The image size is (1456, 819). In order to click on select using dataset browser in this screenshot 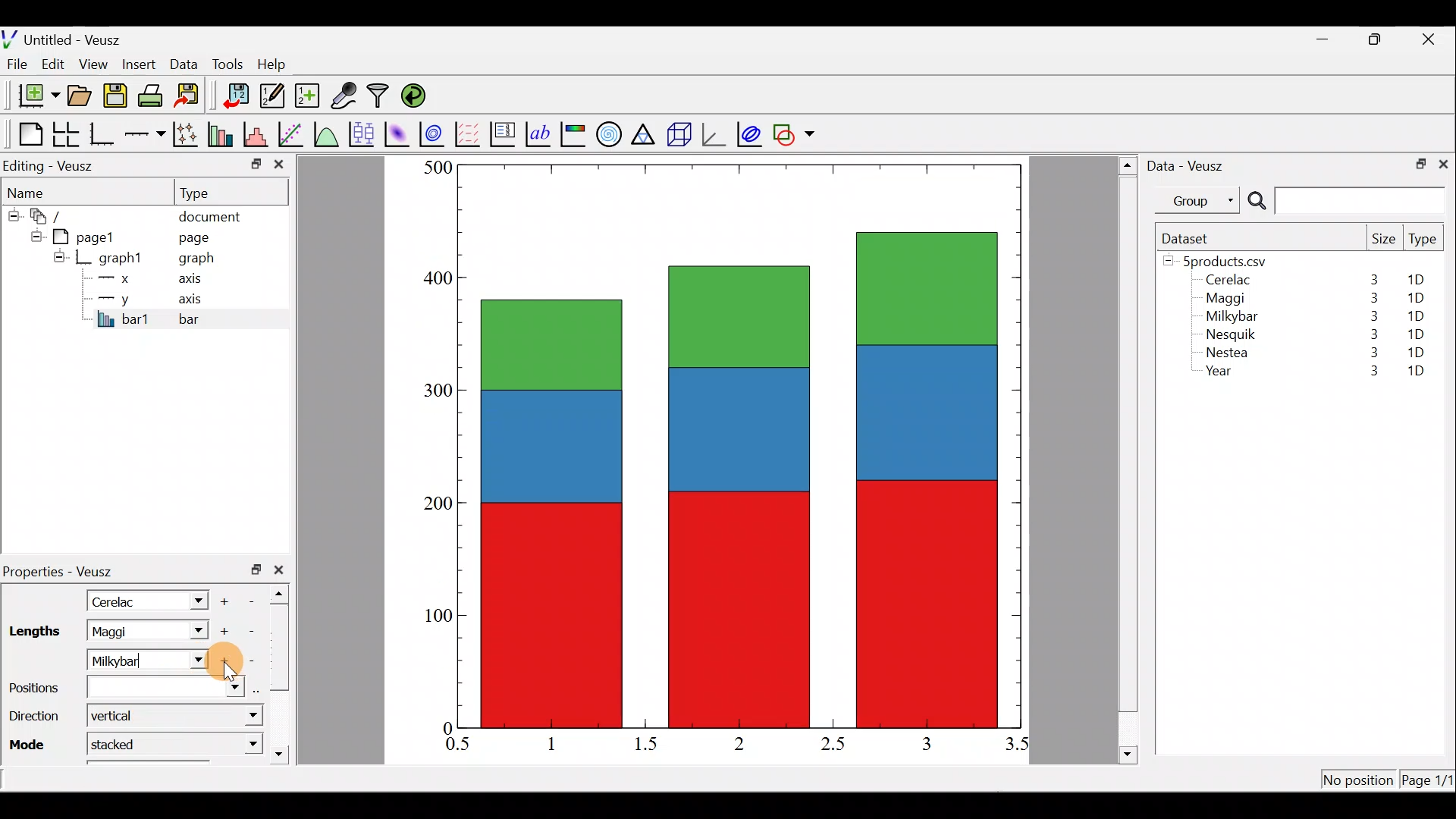, I will do `click(260, 689)`.